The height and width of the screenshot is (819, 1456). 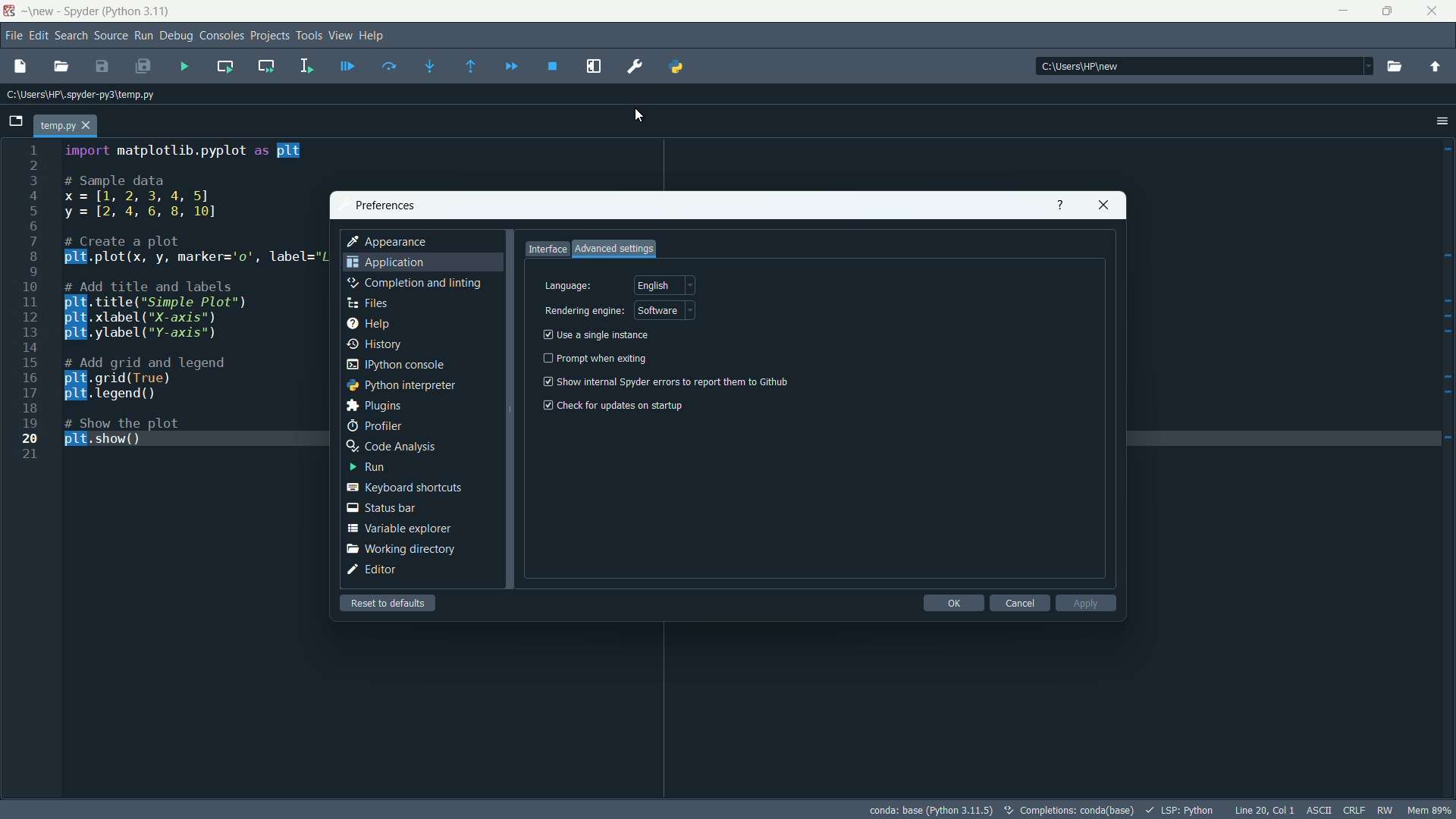 What do you see at coordinates (597, 335) in the screenshot?
I see `use a single instance` at bounding box center [597, 335].